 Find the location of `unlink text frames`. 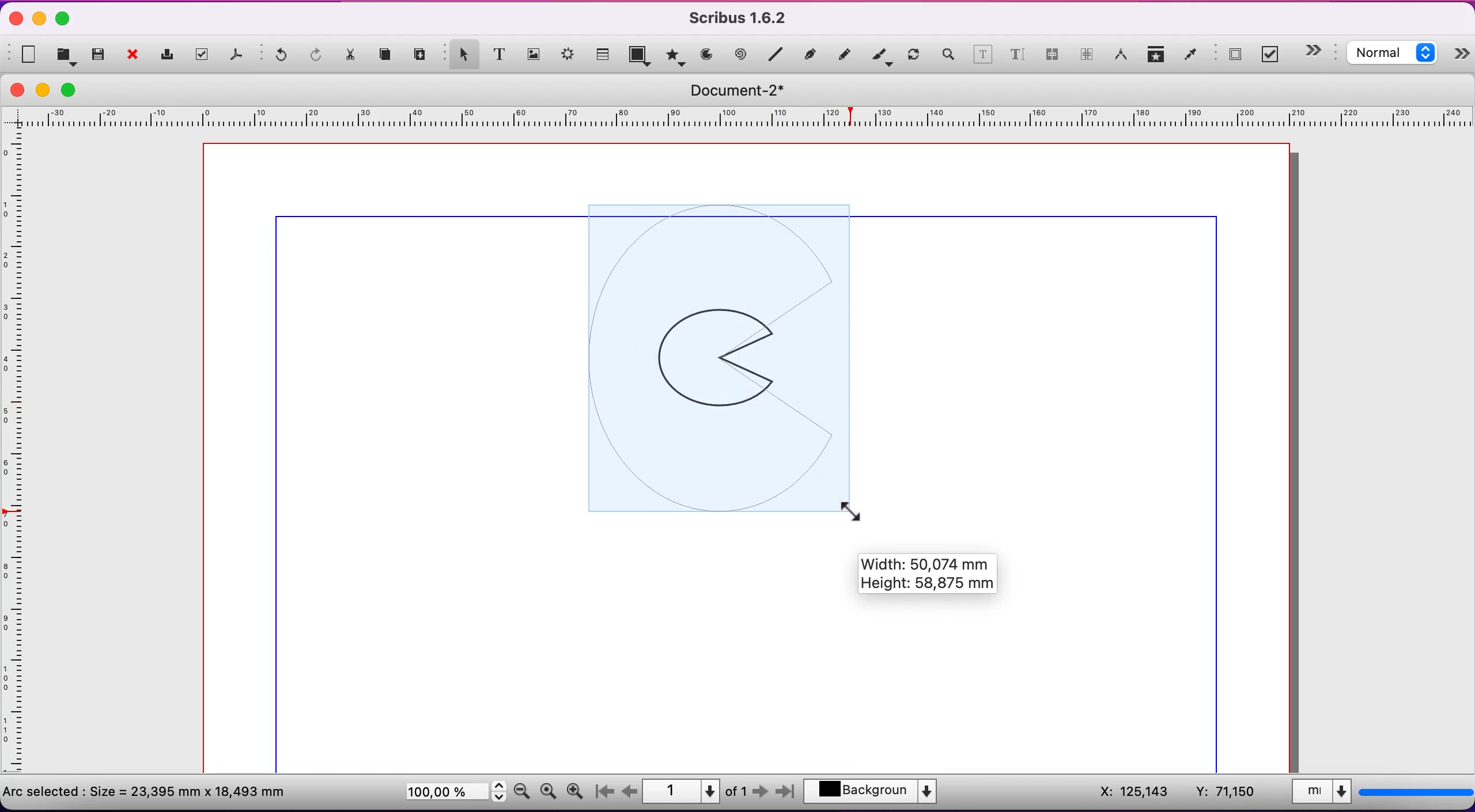

unlink text frames is located at coordinates (1087, 56).